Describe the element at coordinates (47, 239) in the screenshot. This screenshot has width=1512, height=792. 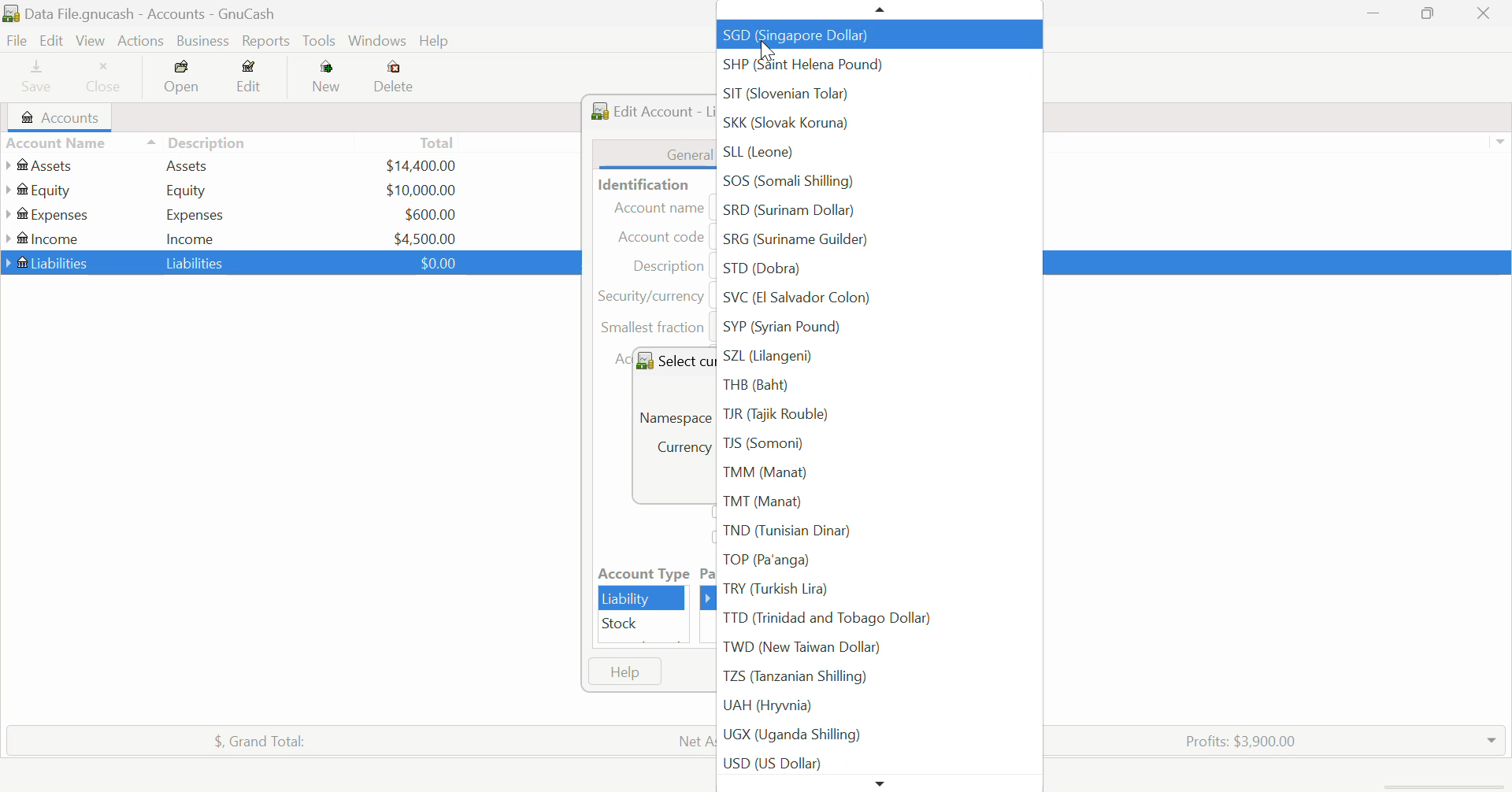
I see `Income Account` at that location.